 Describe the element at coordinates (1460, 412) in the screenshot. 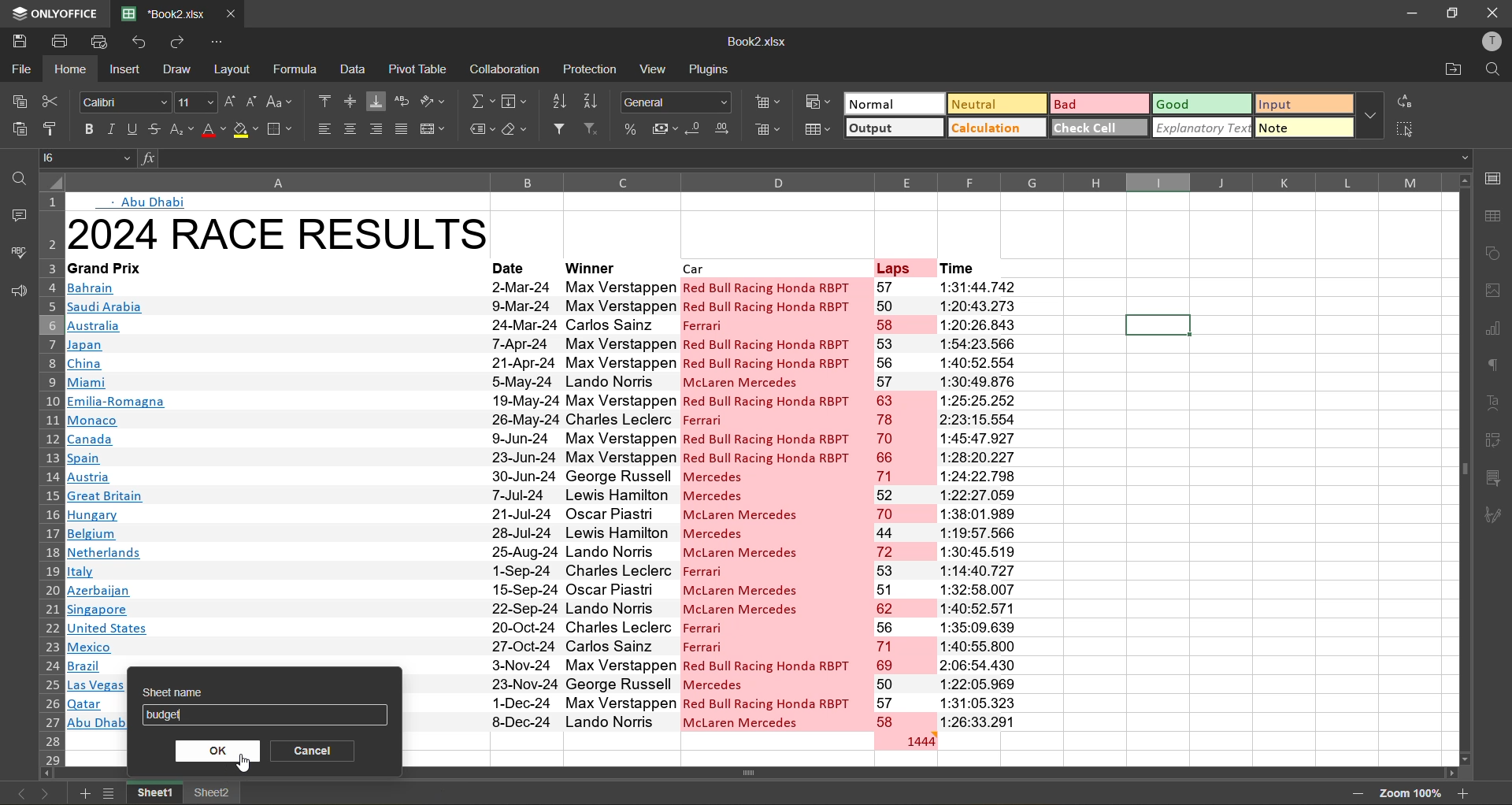

I see `scroll bar` at that location.